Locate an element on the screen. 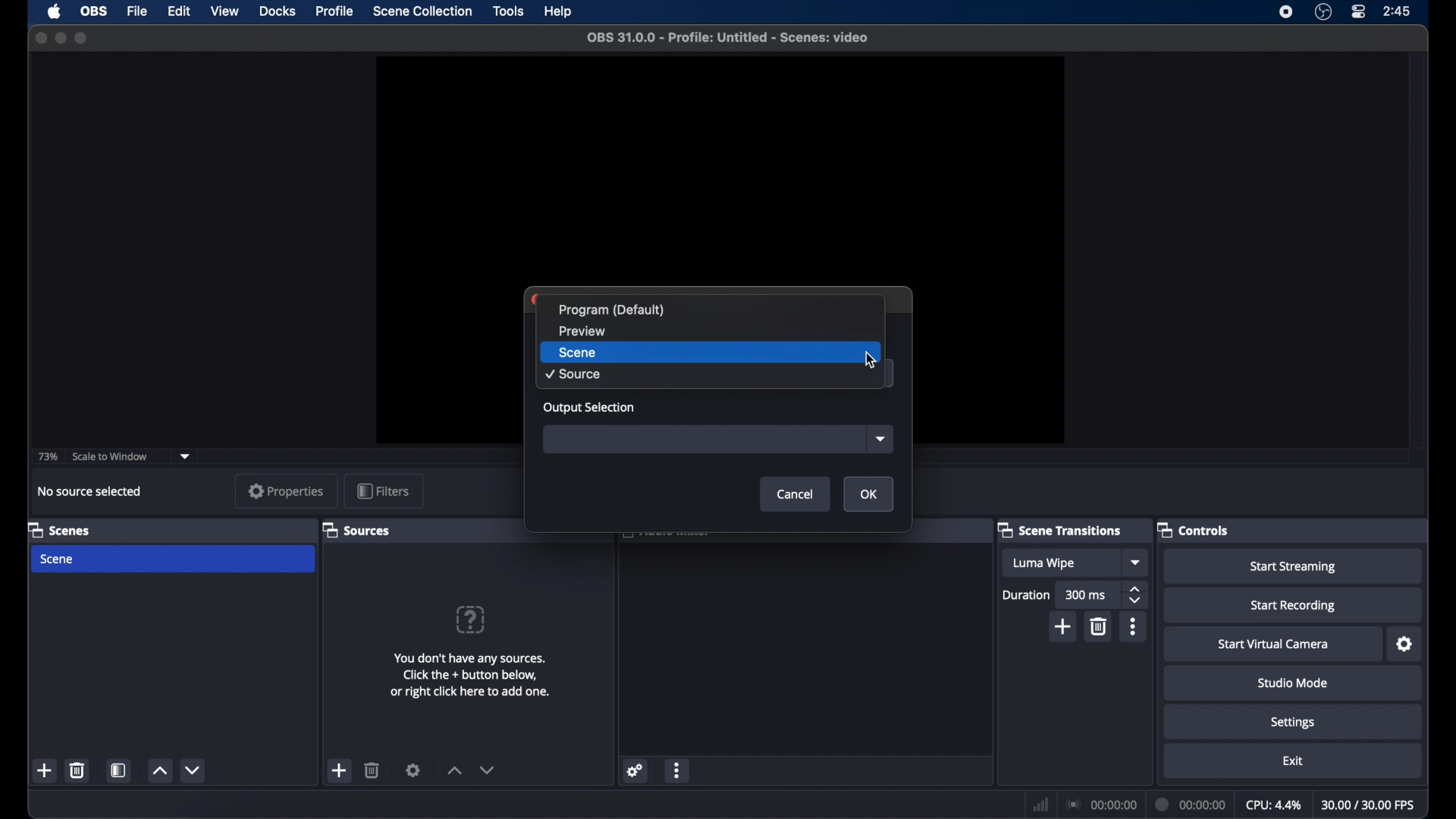  tools is located at coordinates (510, 11).